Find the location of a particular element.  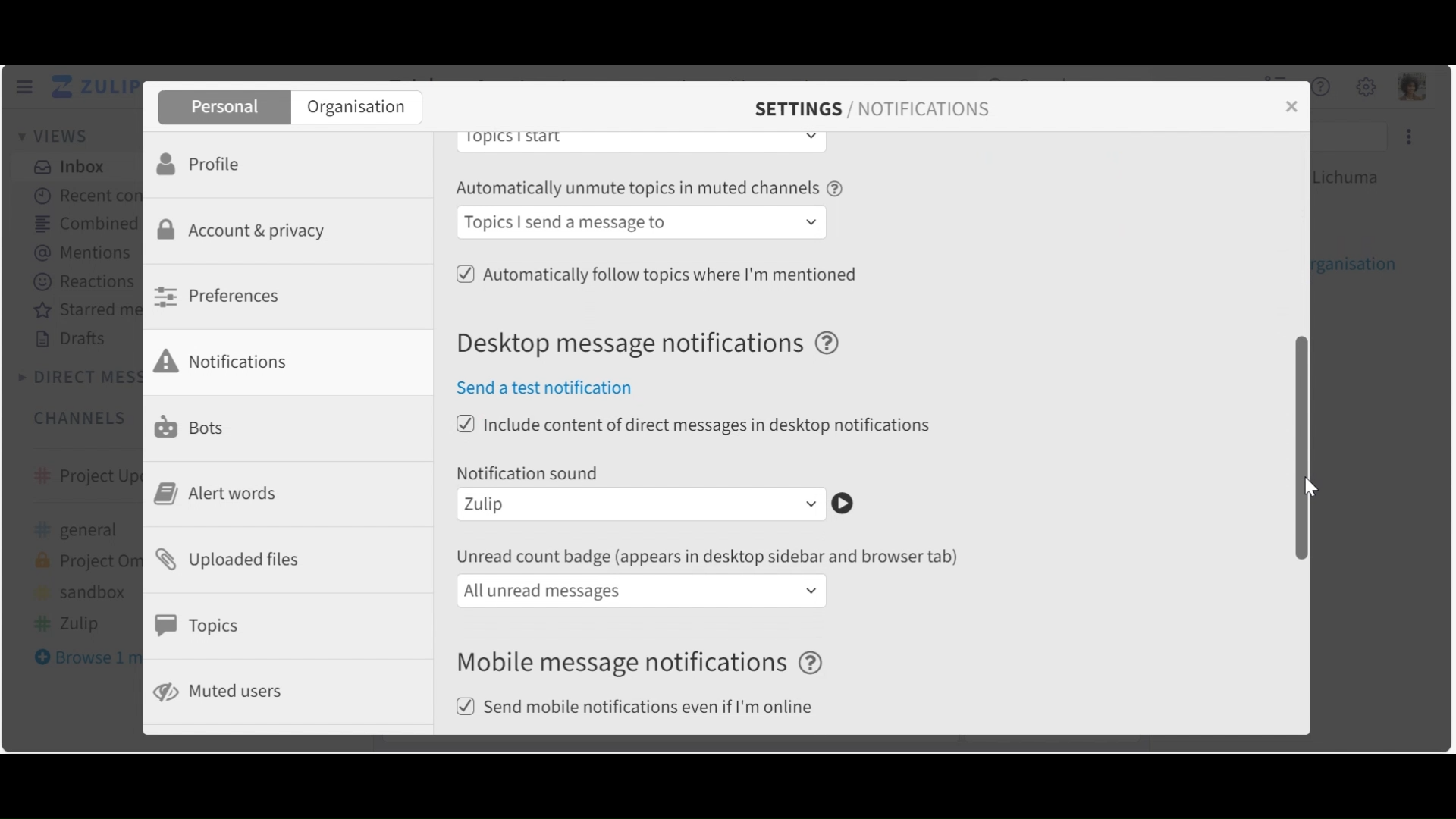

Desktop message notifications is located at coordinates (656, 344).